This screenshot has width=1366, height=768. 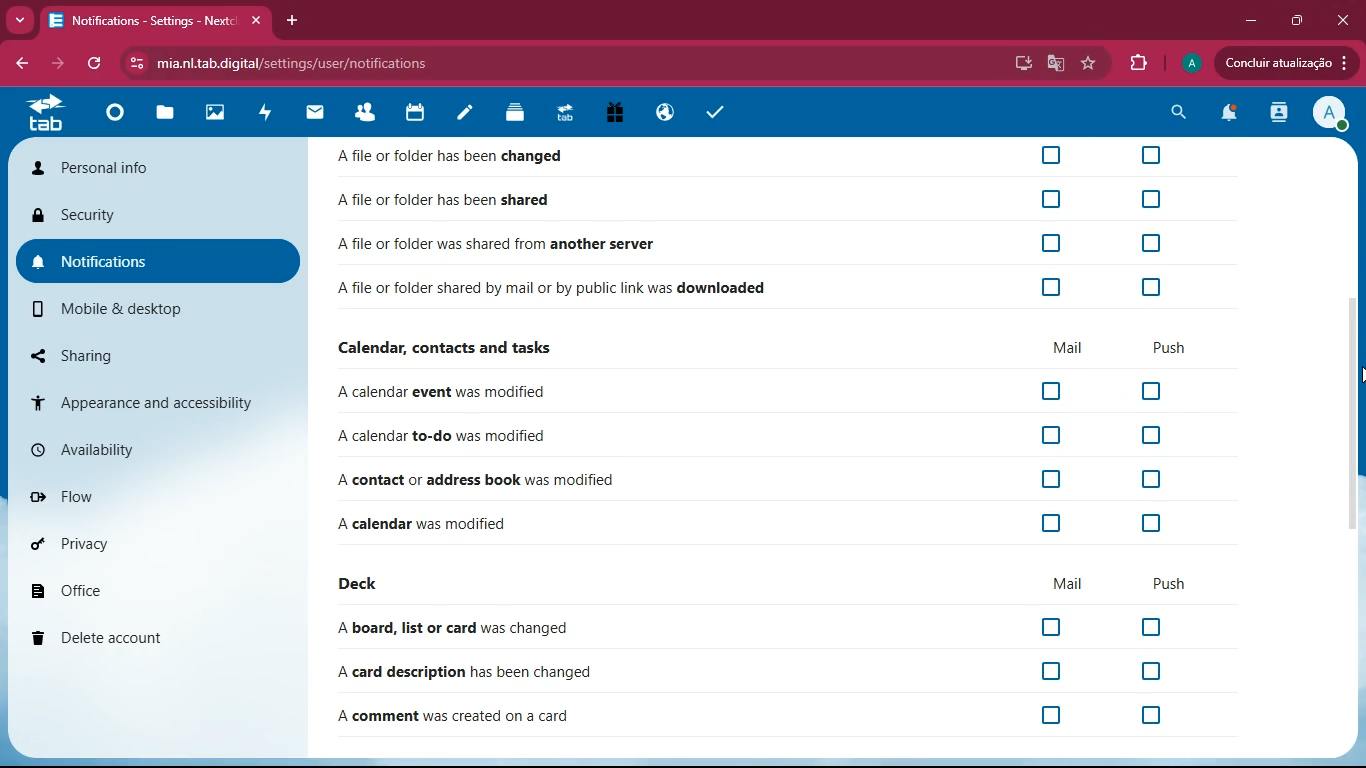 What do you see at coordinates (1047, 481) in the screenshot?
I see `off` at bounding box center [1047, 481].